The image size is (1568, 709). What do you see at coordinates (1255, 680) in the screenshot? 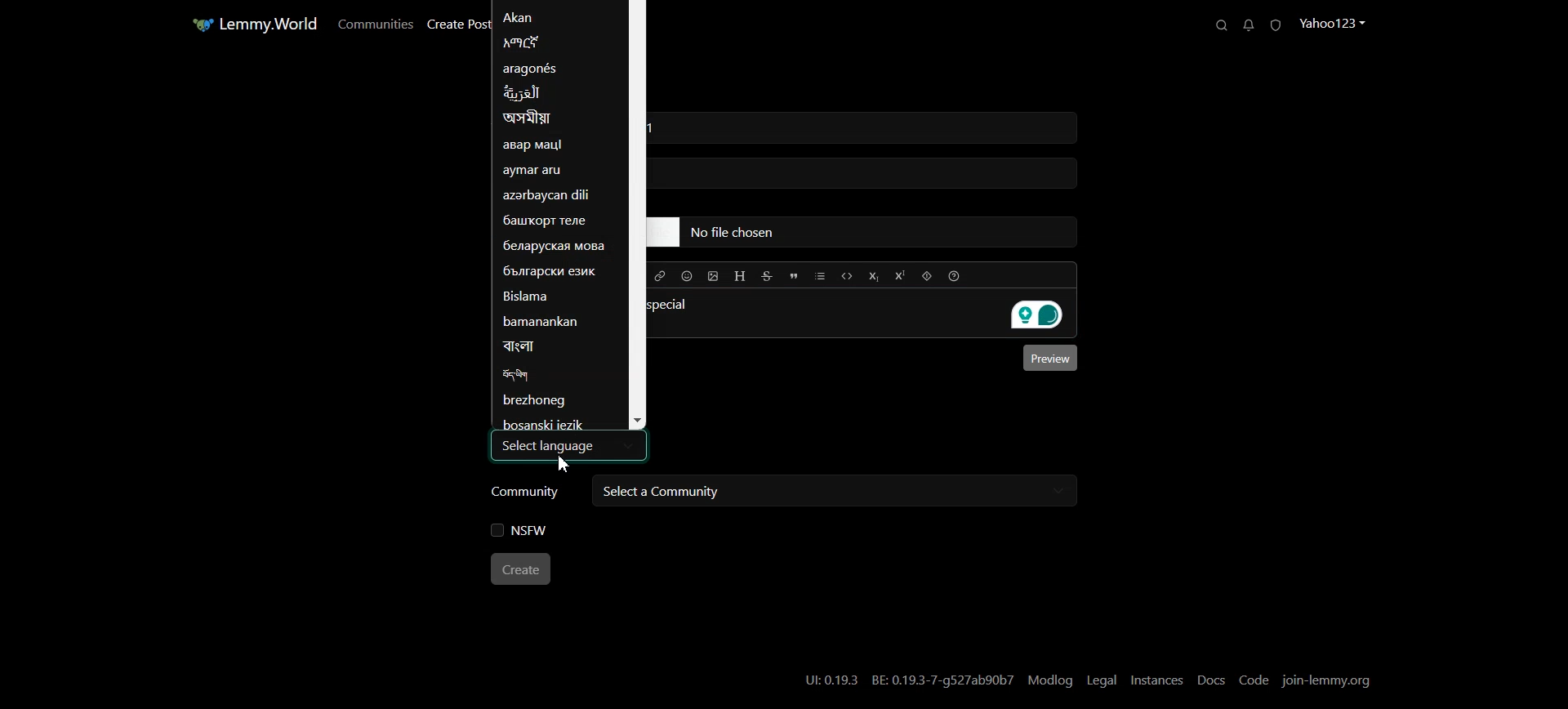
I see `Code` at bounding box center [1255, 680].